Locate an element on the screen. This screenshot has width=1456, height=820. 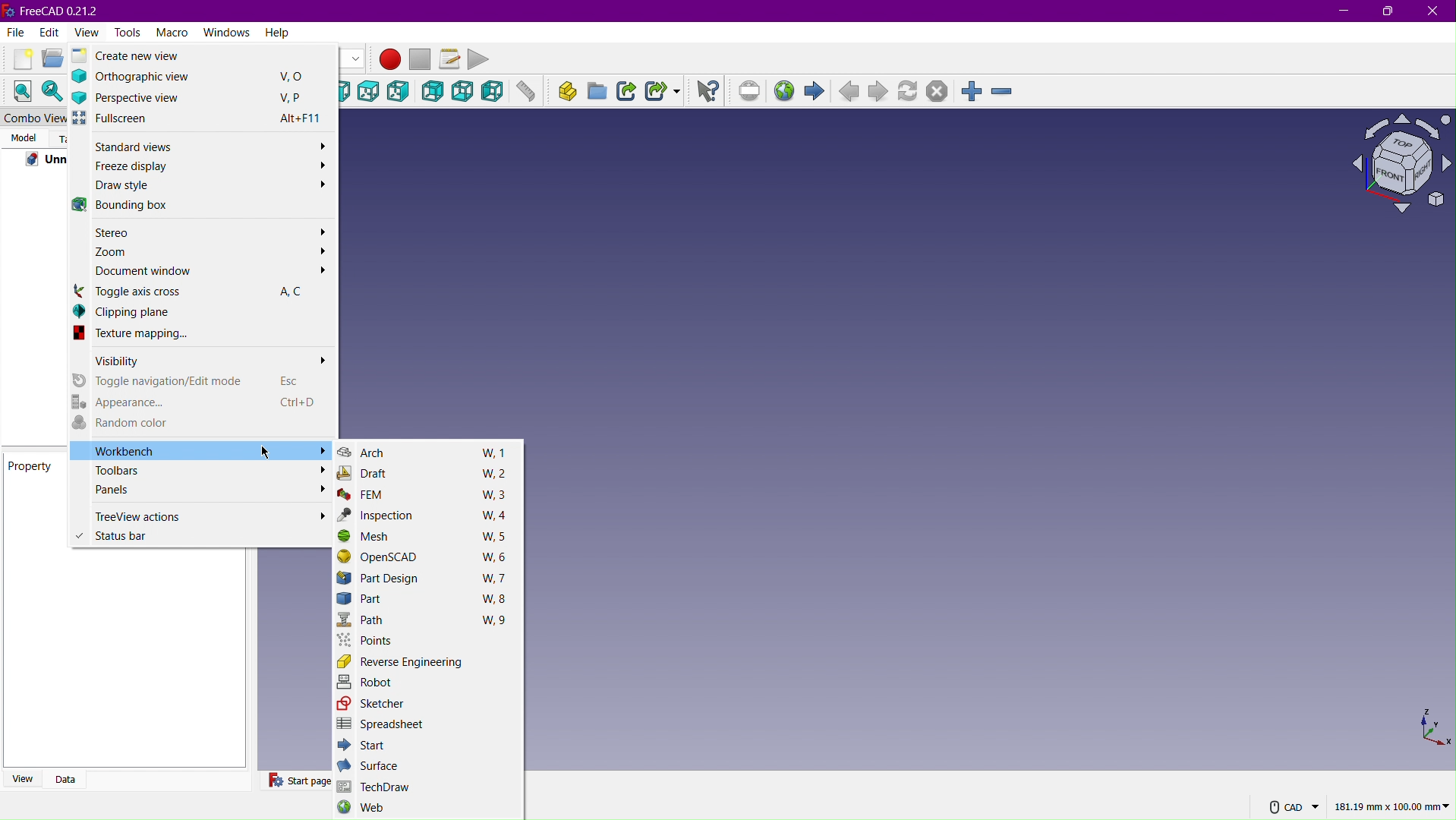
Play Macro is located at coordinates (486, 60).